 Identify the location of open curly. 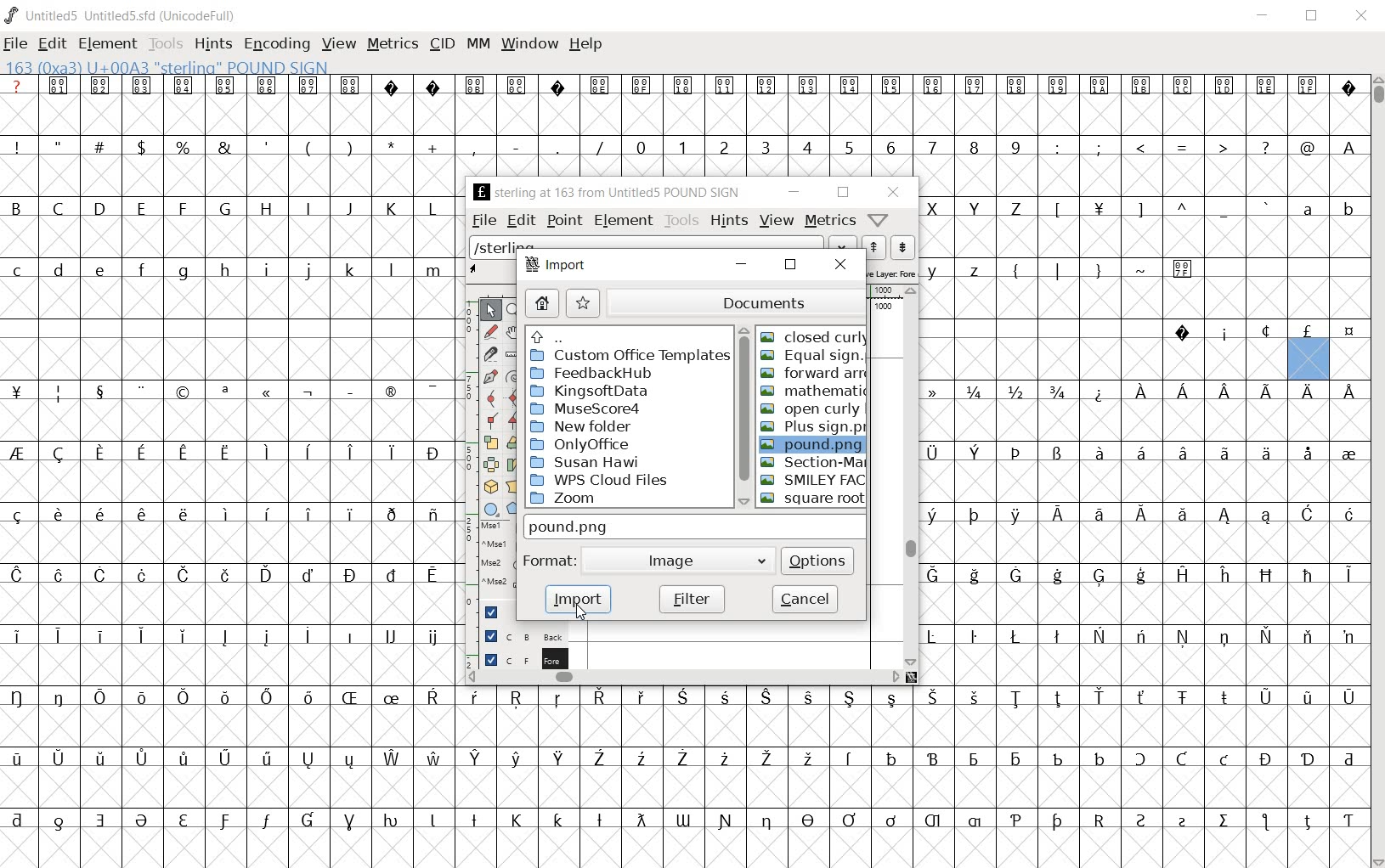
(811, 408).